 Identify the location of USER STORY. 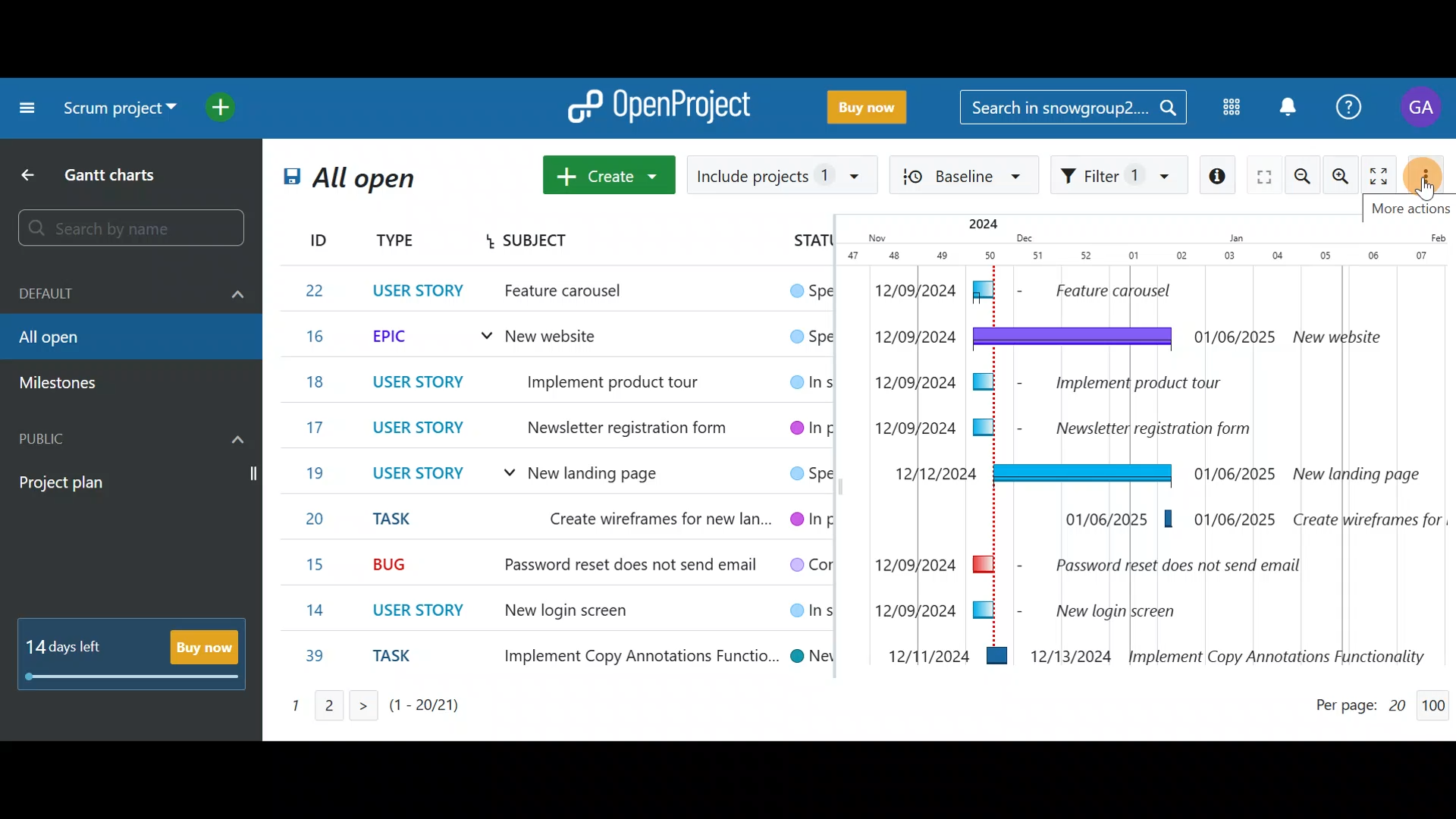
(422, 431).